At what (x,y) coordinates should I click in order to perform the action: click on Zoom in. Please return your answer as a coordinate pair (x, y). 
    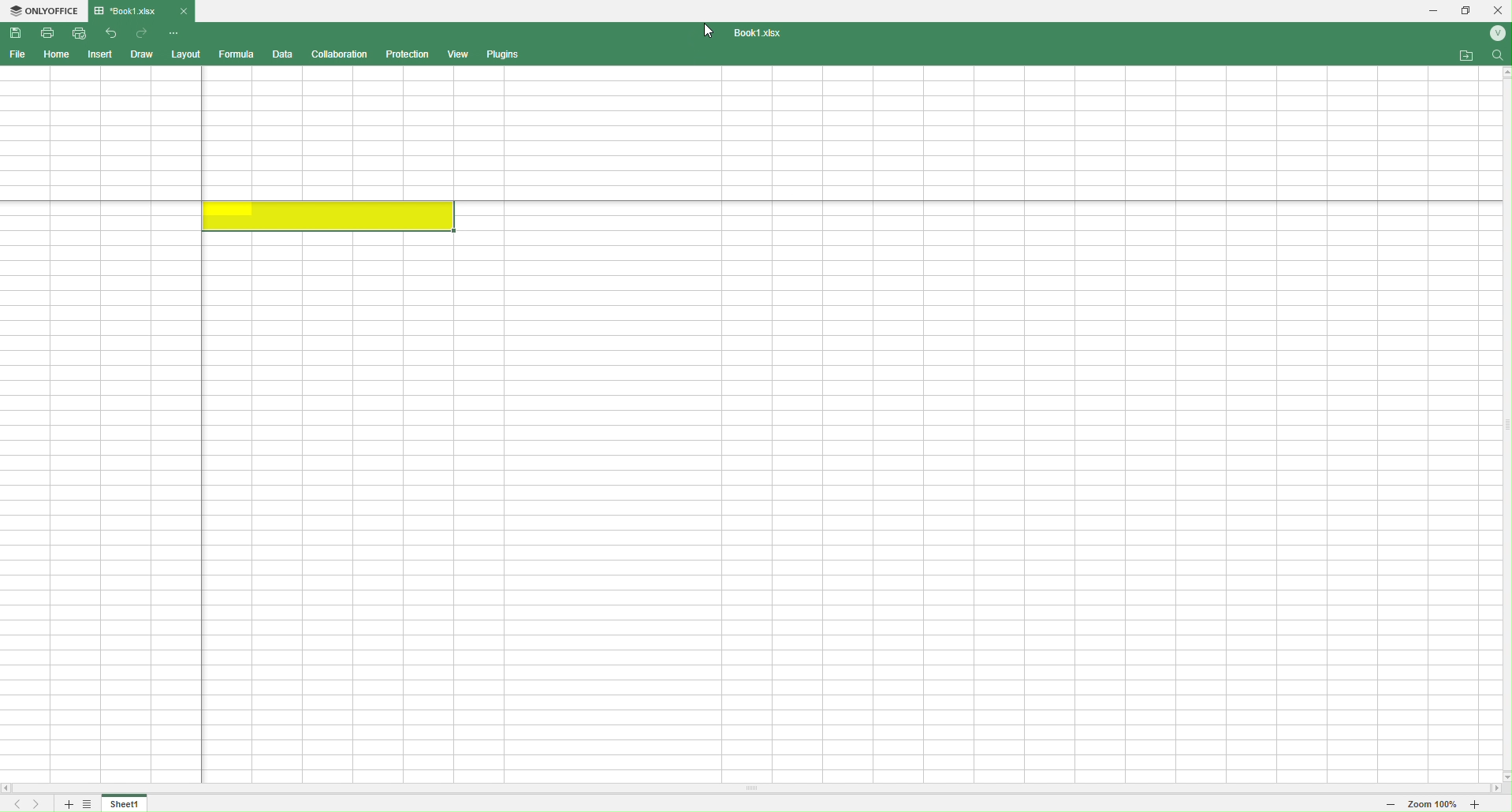
    Looking at the image, I should click on (1489, 806).